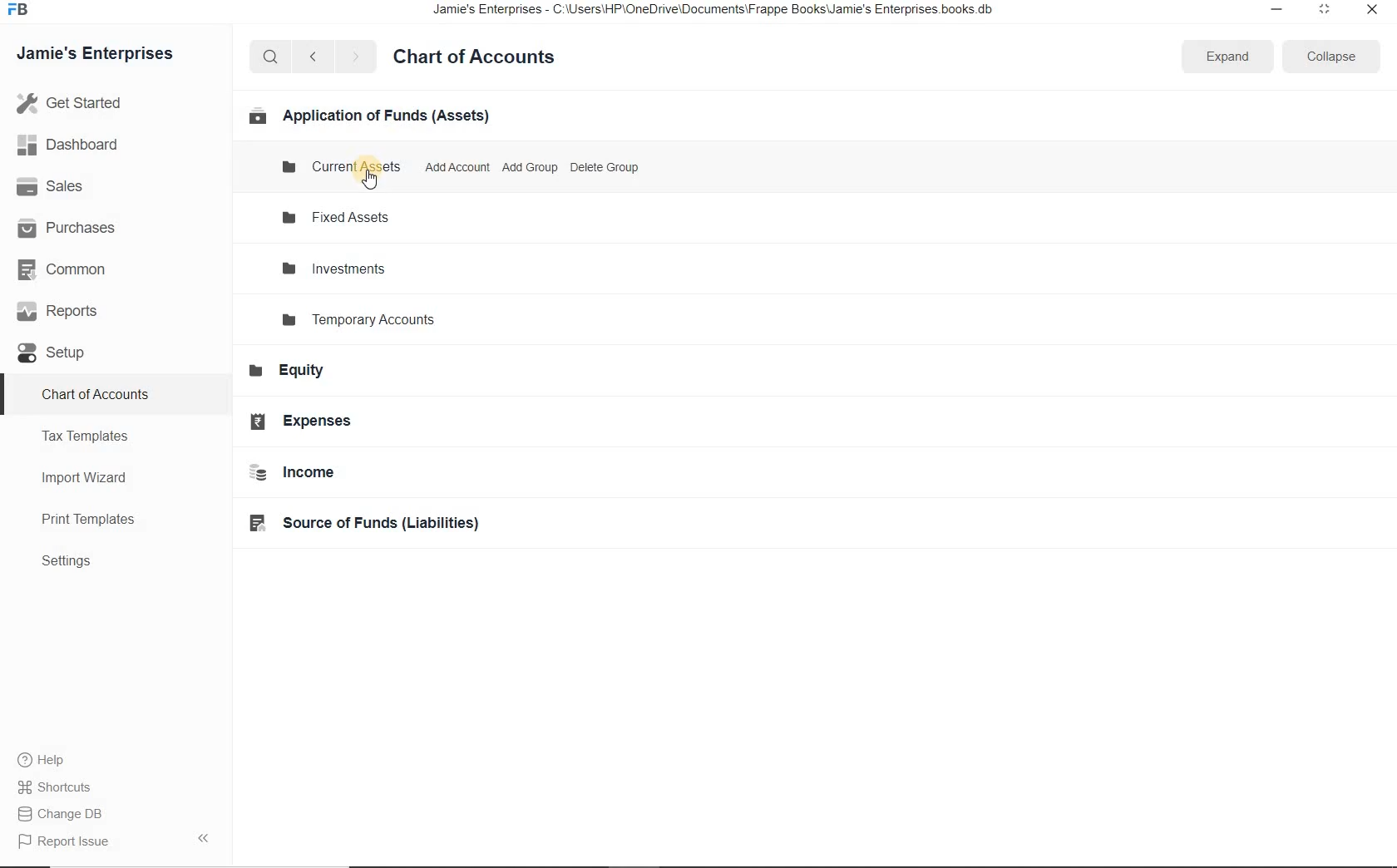 Image resolution: width=1397 pixels, height=868 pixels. What do you see at coordinates (481, 57) in the screenshot?
I see `Chart of Accounts` at bounding box center [481, 57].